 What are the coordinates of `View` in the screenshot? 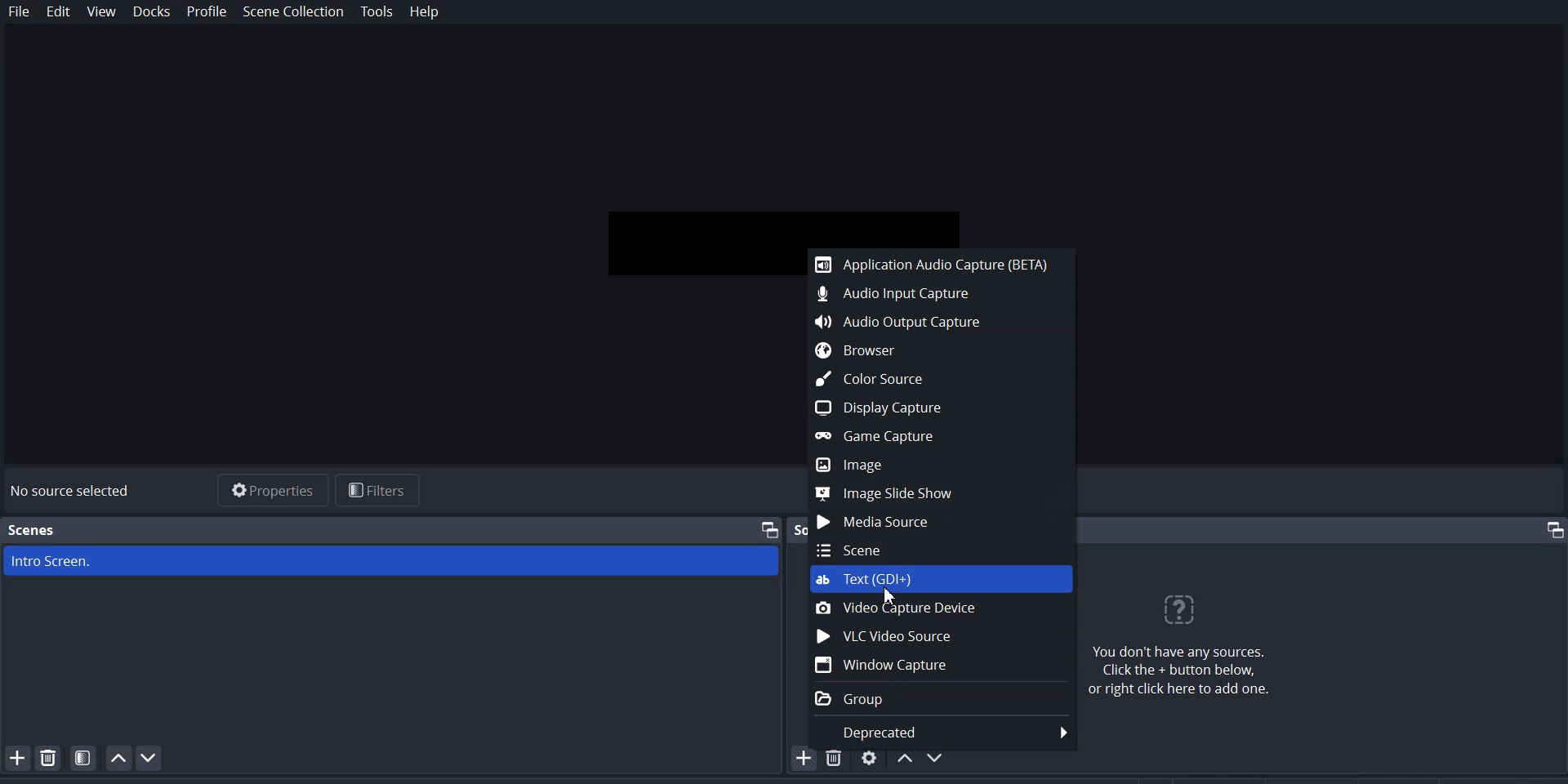 It's located at (102, 12).